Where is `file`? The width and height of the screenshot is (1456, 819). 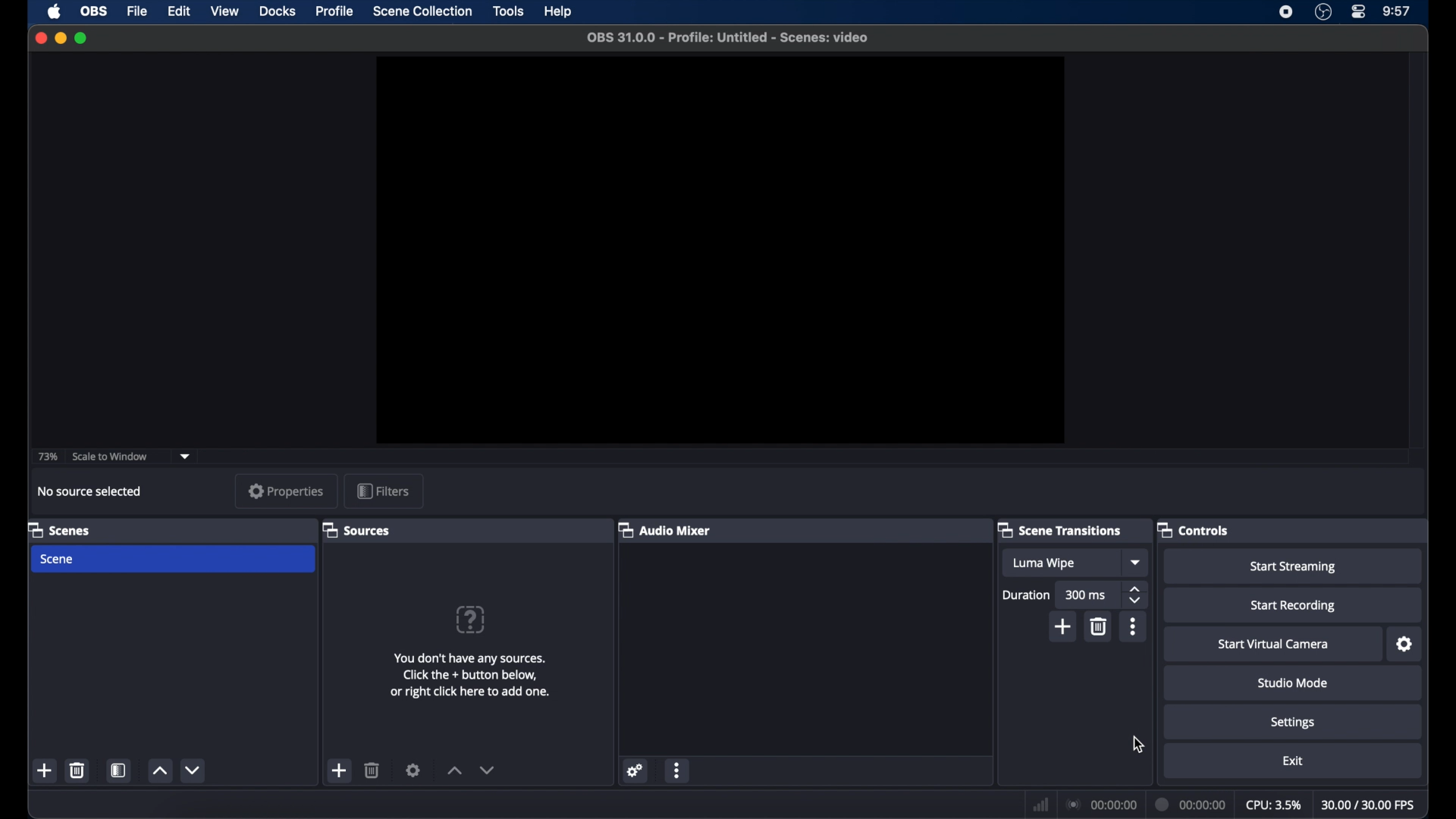 file is located at coordinates (138, 12).